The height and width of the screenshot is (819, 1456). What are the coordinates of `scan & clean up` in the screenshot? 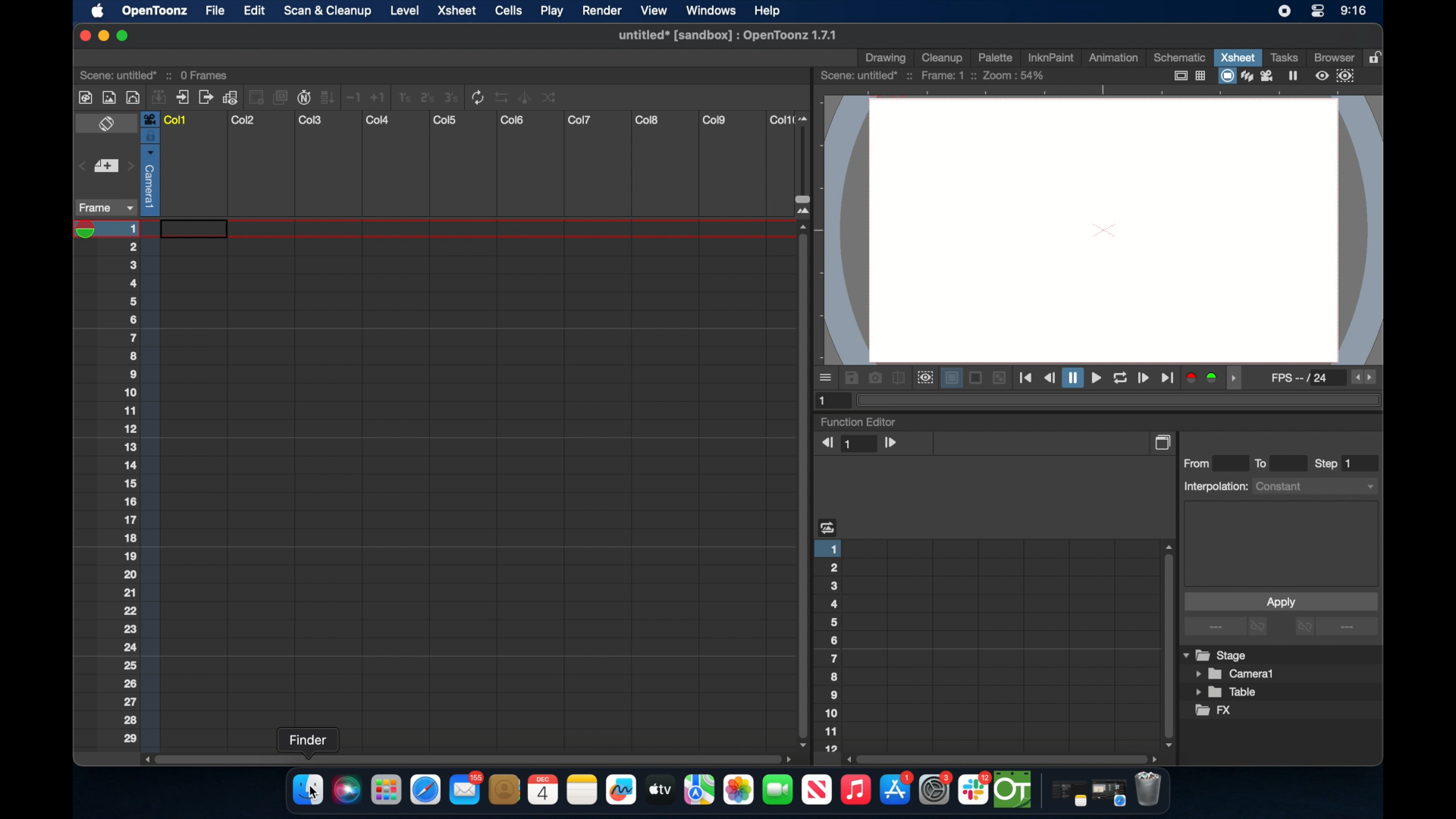 It's located at (327, 12).